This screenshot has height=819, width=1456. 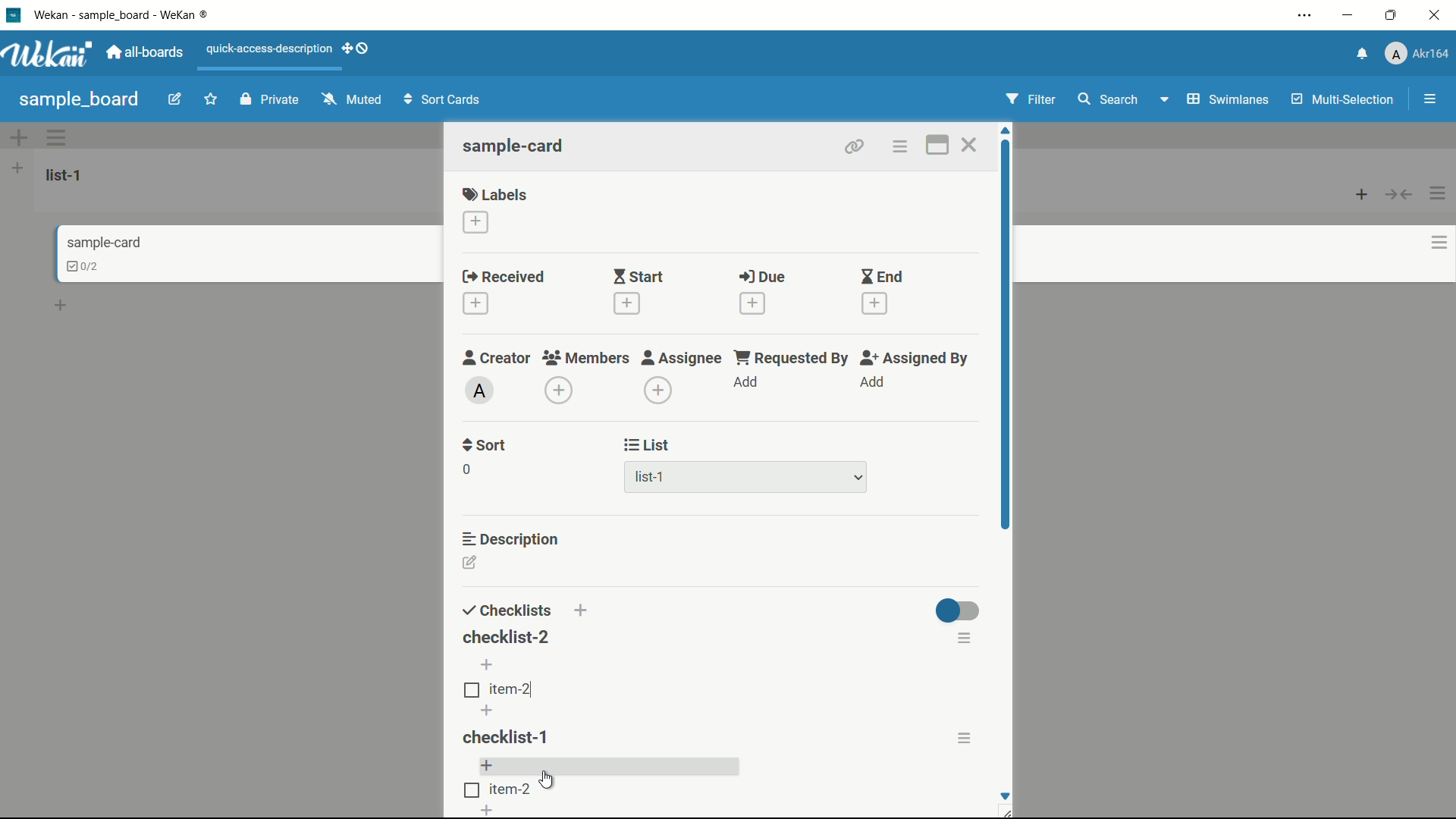 I want to click on add list, so click(x=17, y=168).